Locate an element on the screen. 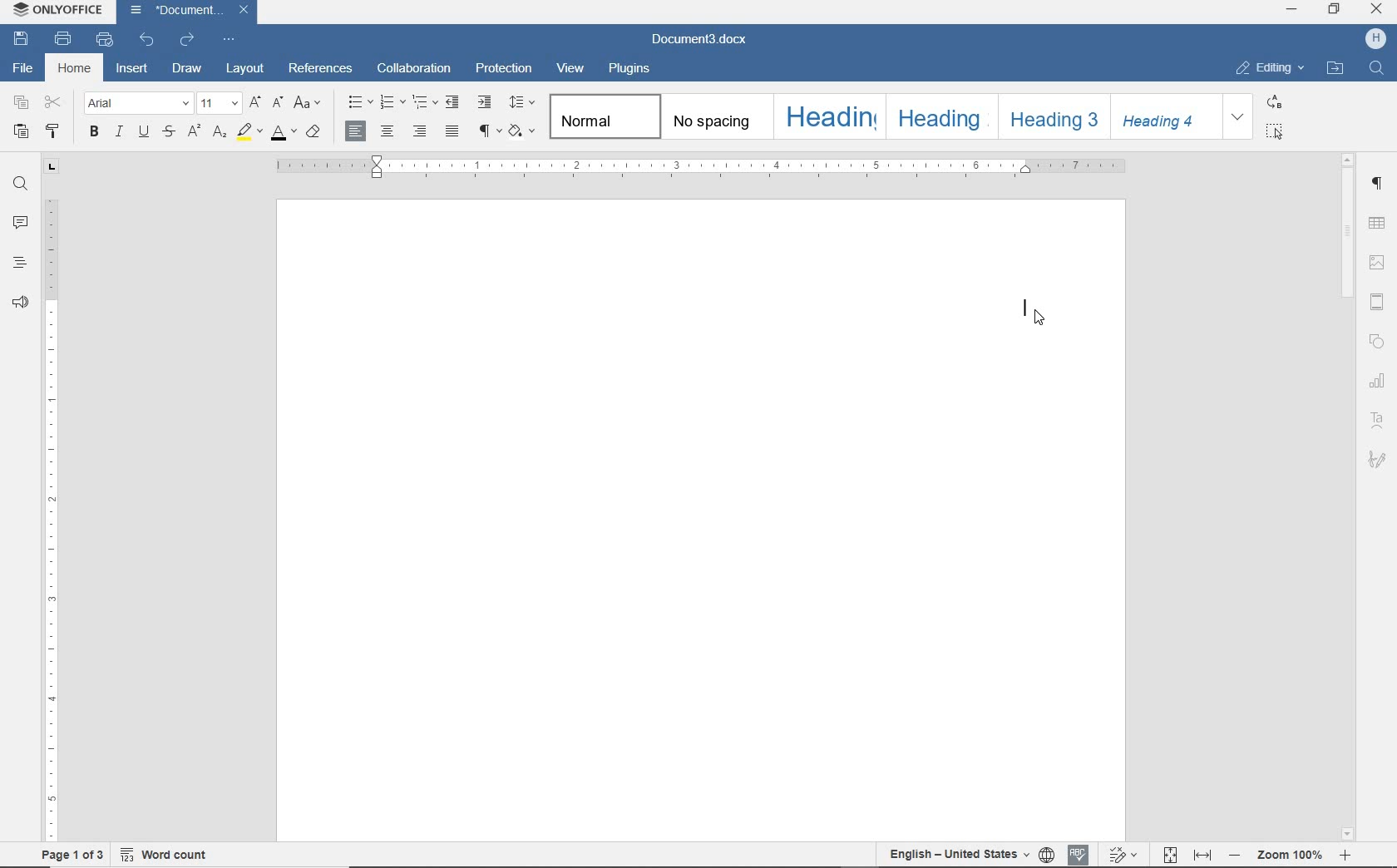 Image resolution: width=1397 pixels, height=868 pixels. PROTECTION is located at coordinates (504, 69).